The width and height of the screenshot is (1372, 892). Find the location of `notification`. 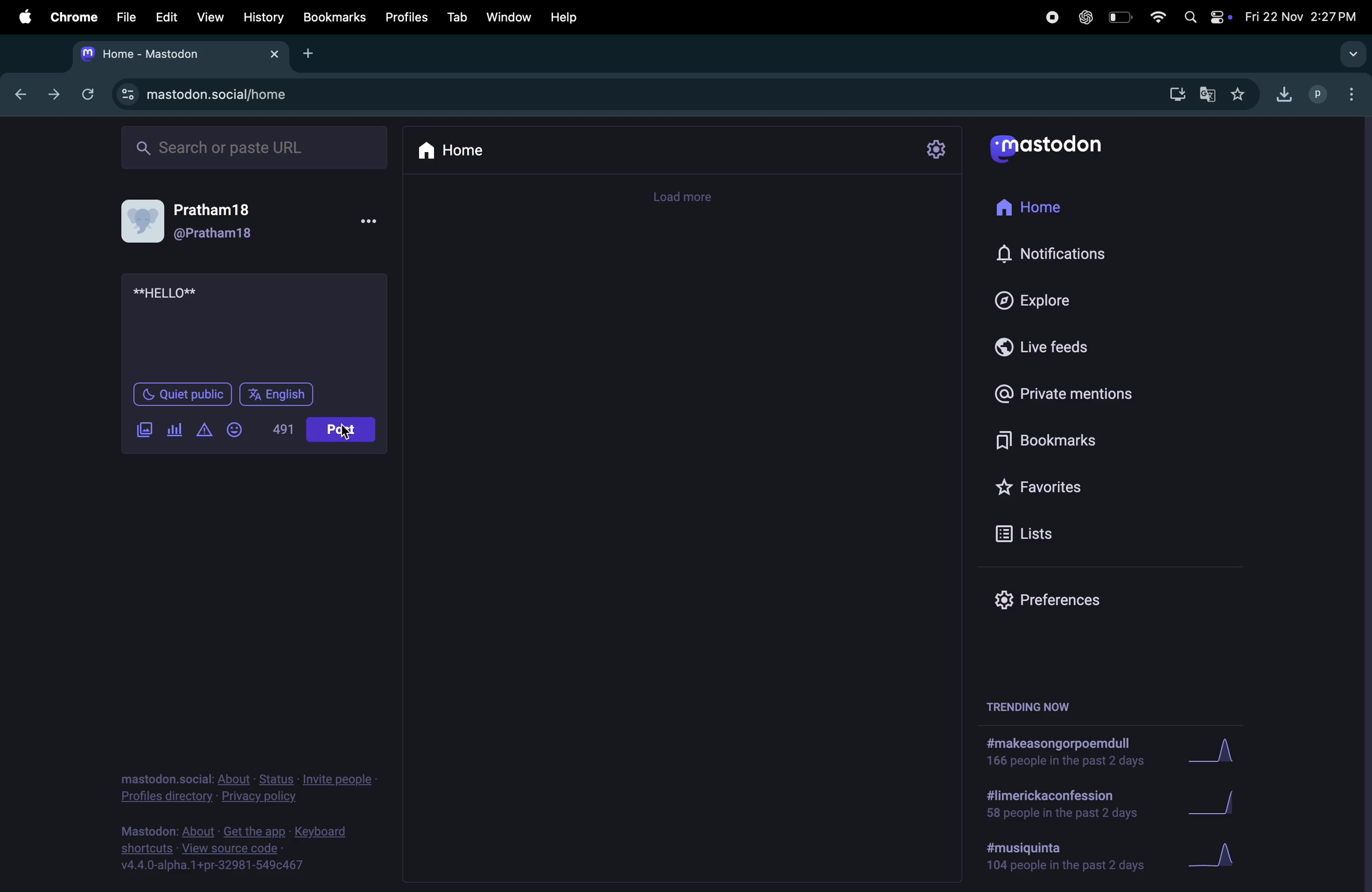

notification is located at coordinates (1064, 254).